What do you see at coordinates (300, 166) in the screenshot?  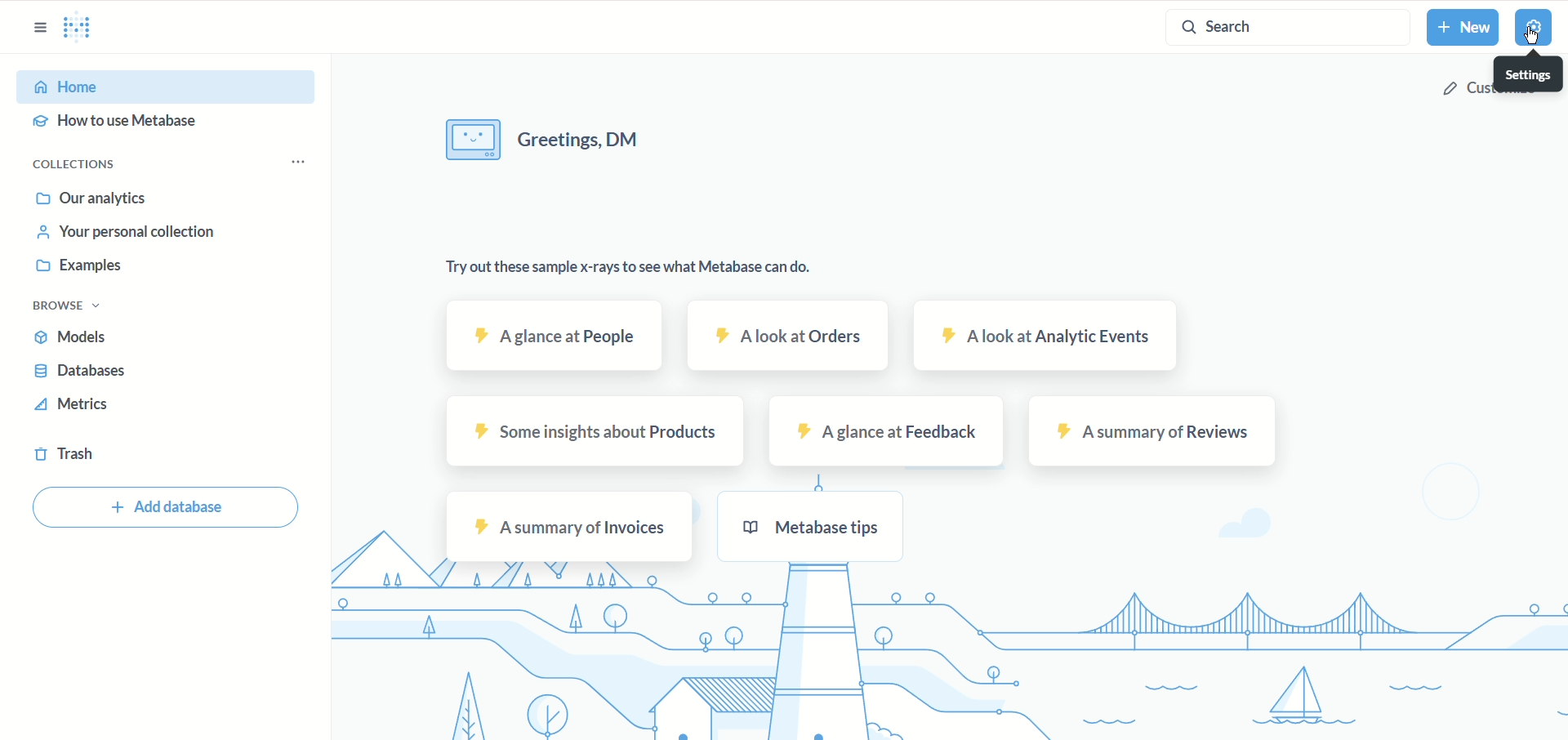 I see `Options` at bounding box center [300, 166].